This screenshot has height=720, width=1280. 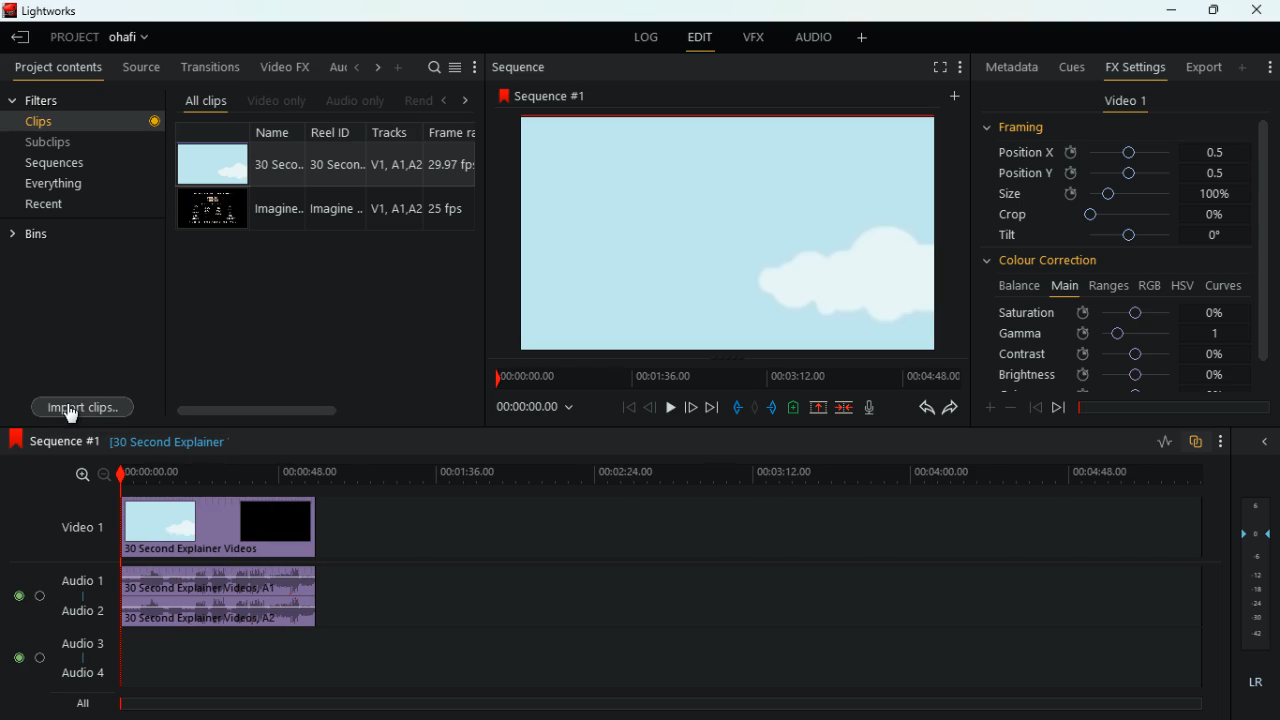 I want to click on bins, so click(x=39, y=235).